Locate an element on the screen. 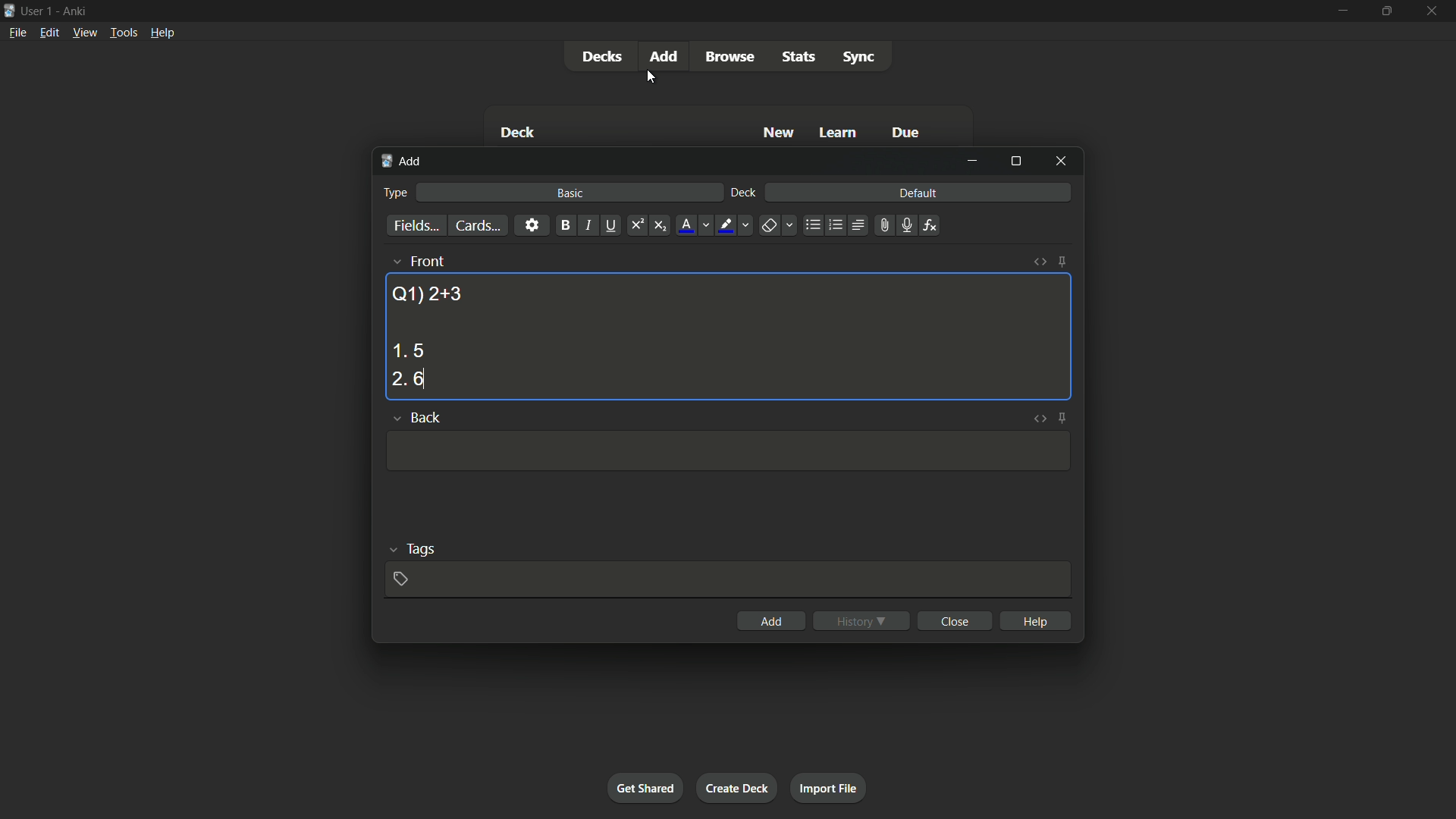  view menu is located at coordinates (83, 31).